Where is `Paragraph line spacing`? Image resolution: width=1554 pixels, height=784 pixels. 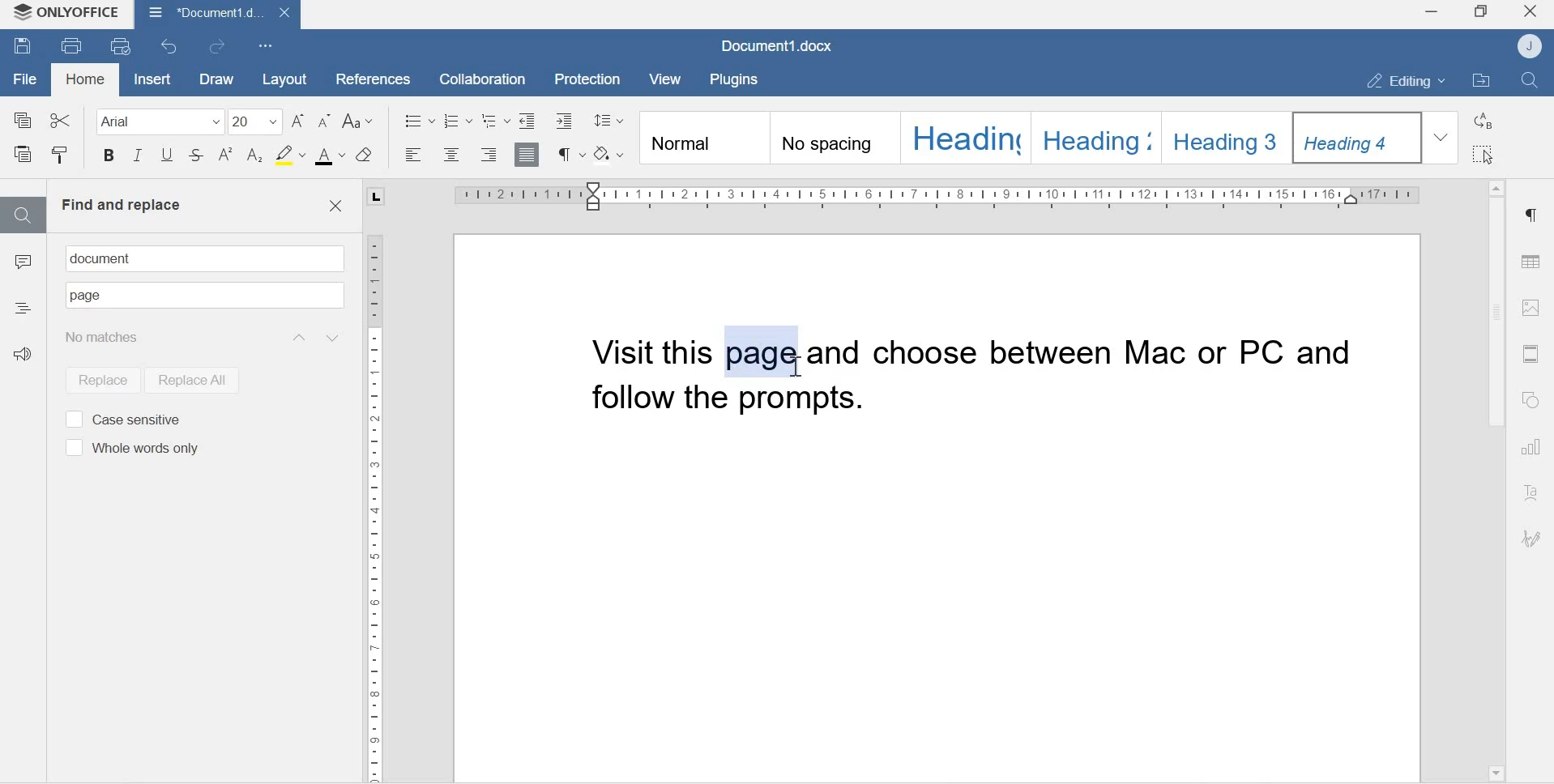
Paragraph line spacing is located at coordinates (608, 117).